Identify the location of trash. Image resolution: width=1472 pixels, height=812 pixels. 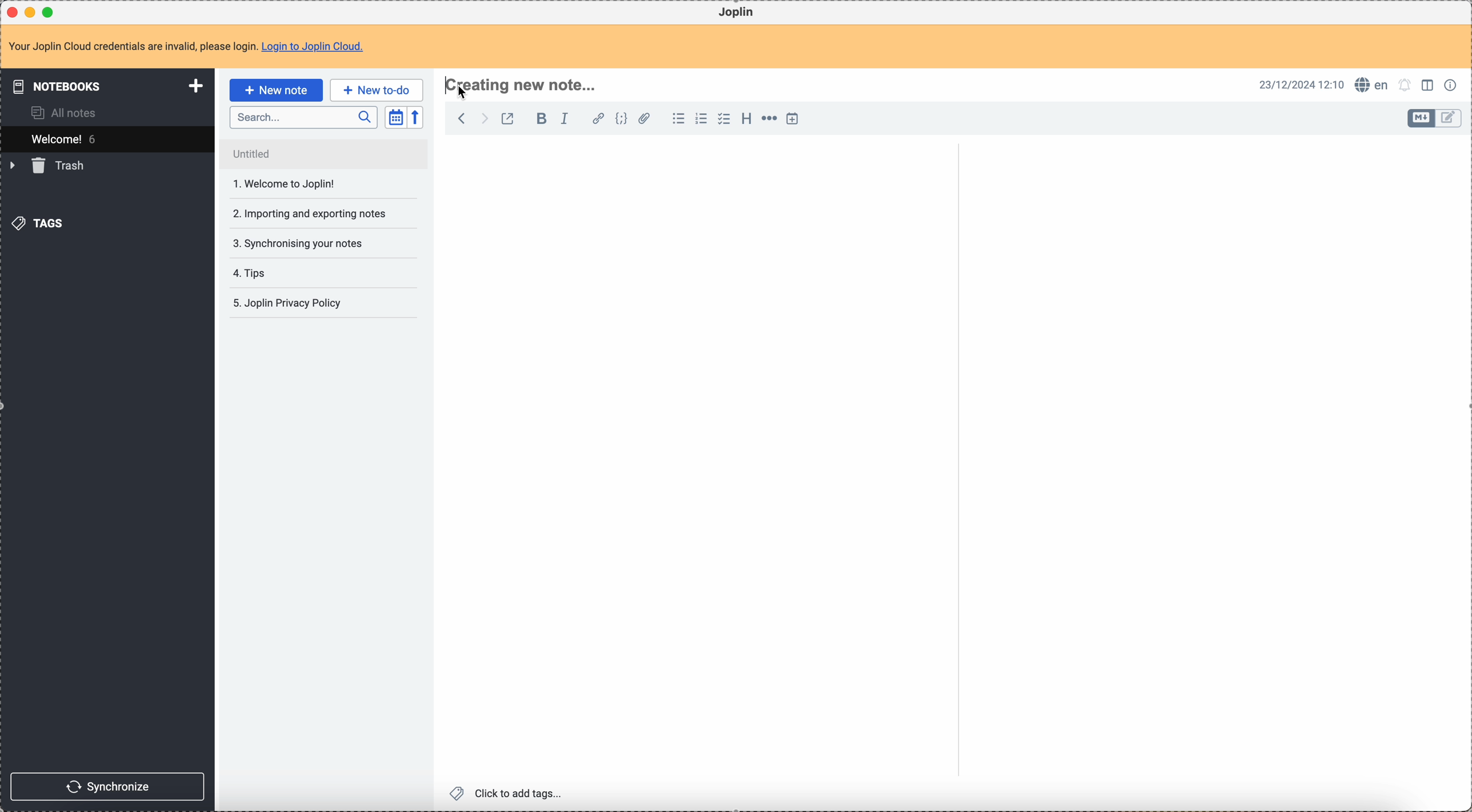
(50, 166).